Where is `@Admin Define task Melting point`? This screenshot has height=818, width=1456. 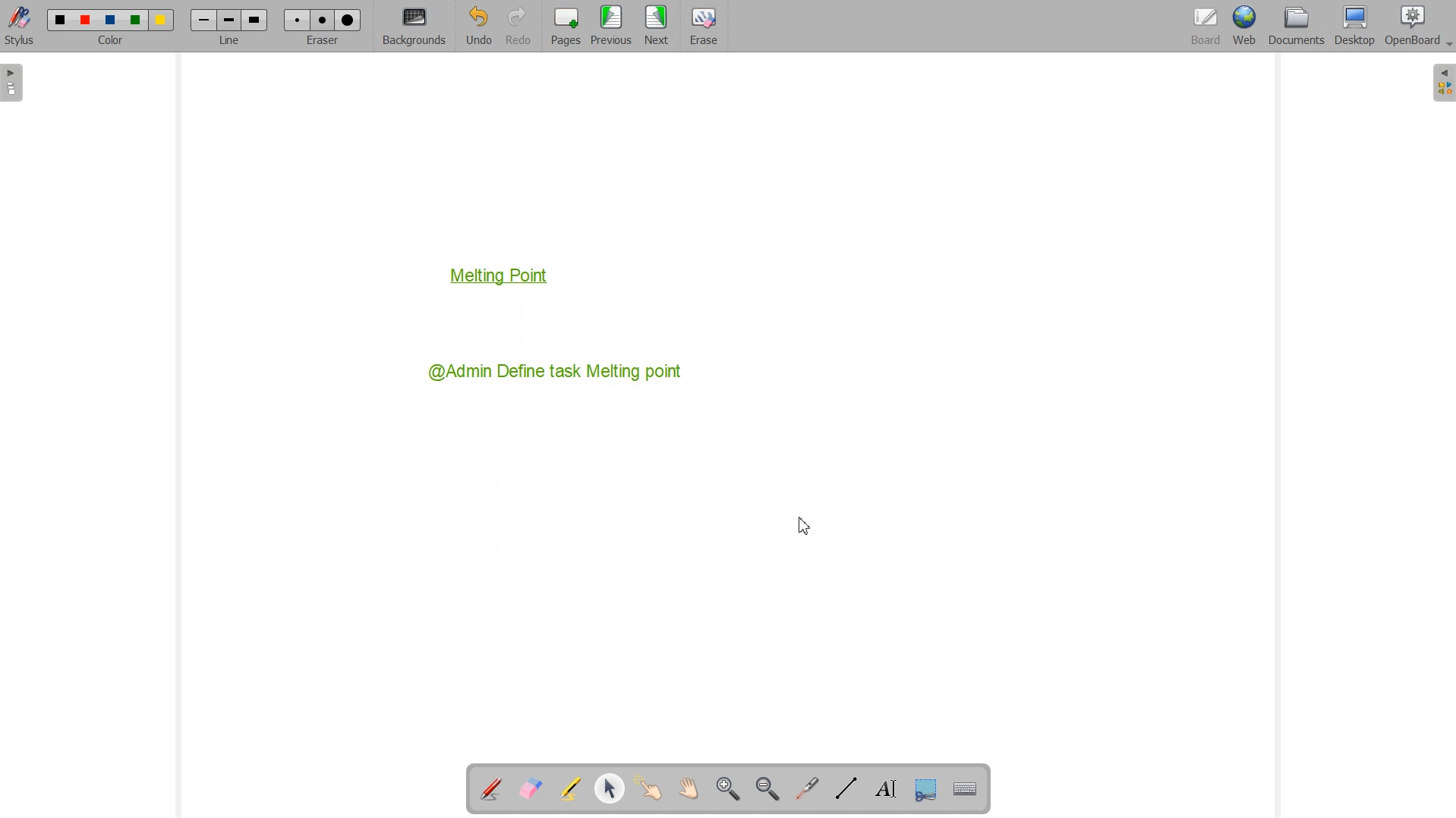 @Admin Define task Melting point is located at coordinates (572, 371).